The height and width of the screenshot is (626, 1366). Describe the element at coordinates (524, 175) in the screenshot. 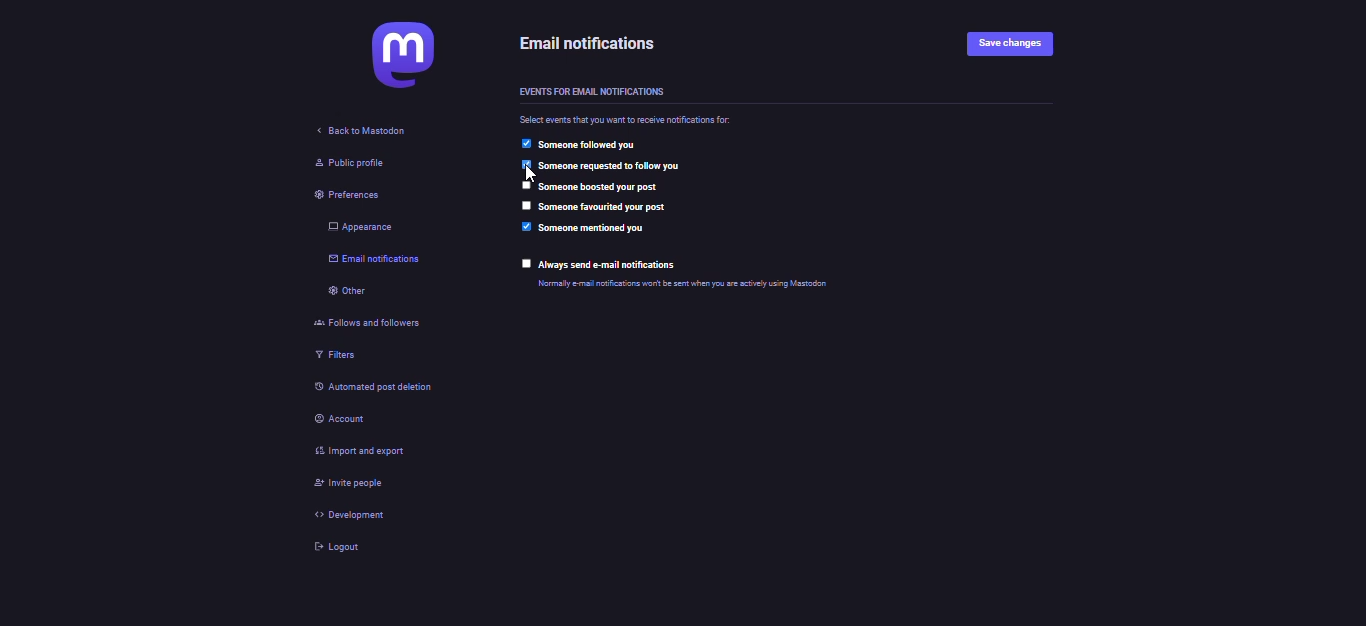

I see `cursor` at that location.